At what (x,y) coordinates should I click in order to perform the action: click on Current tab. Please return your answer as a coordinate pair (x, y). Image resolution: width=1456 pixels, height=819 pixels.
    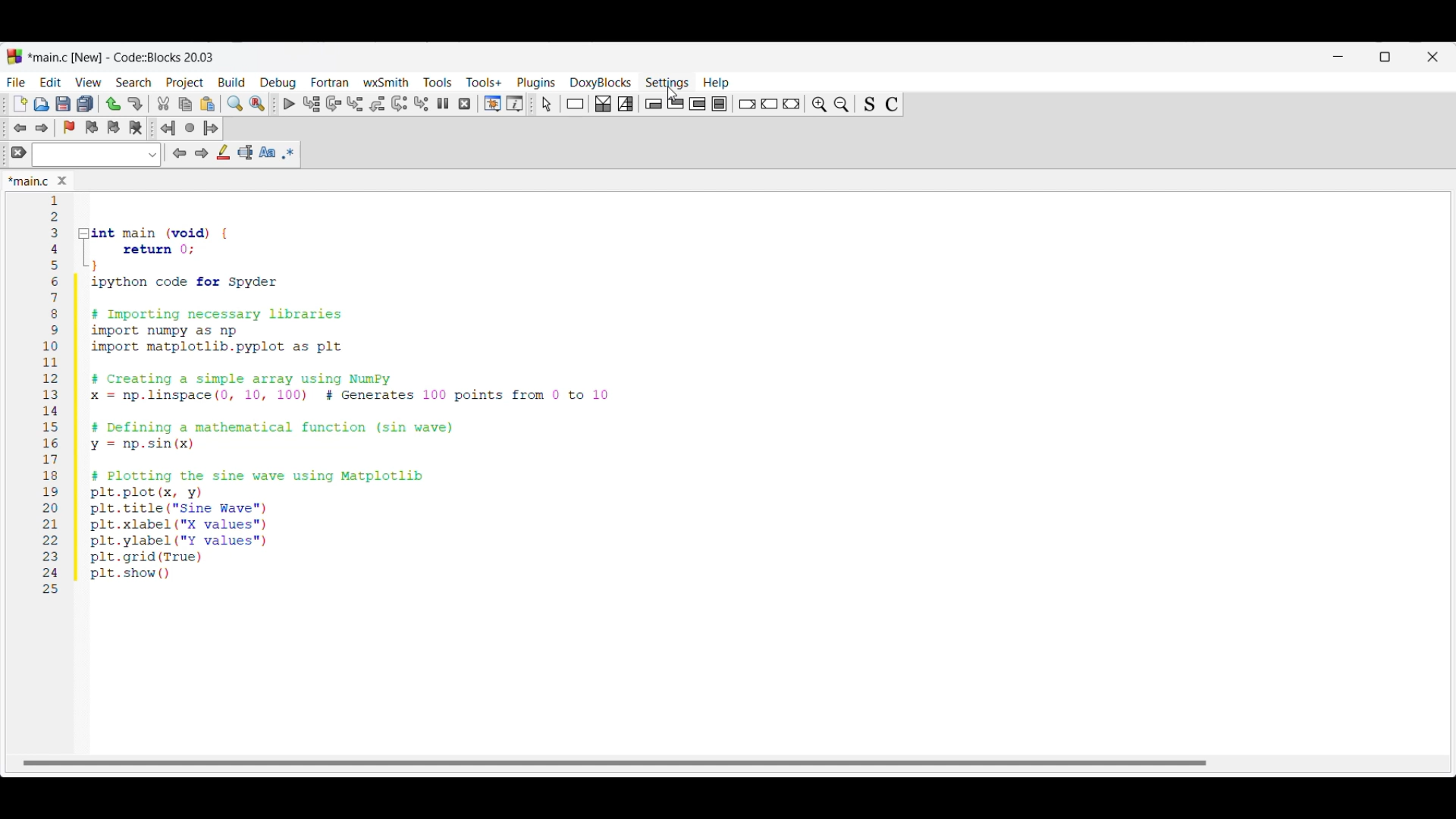
    Looking at the image, I should click on (29, 182).